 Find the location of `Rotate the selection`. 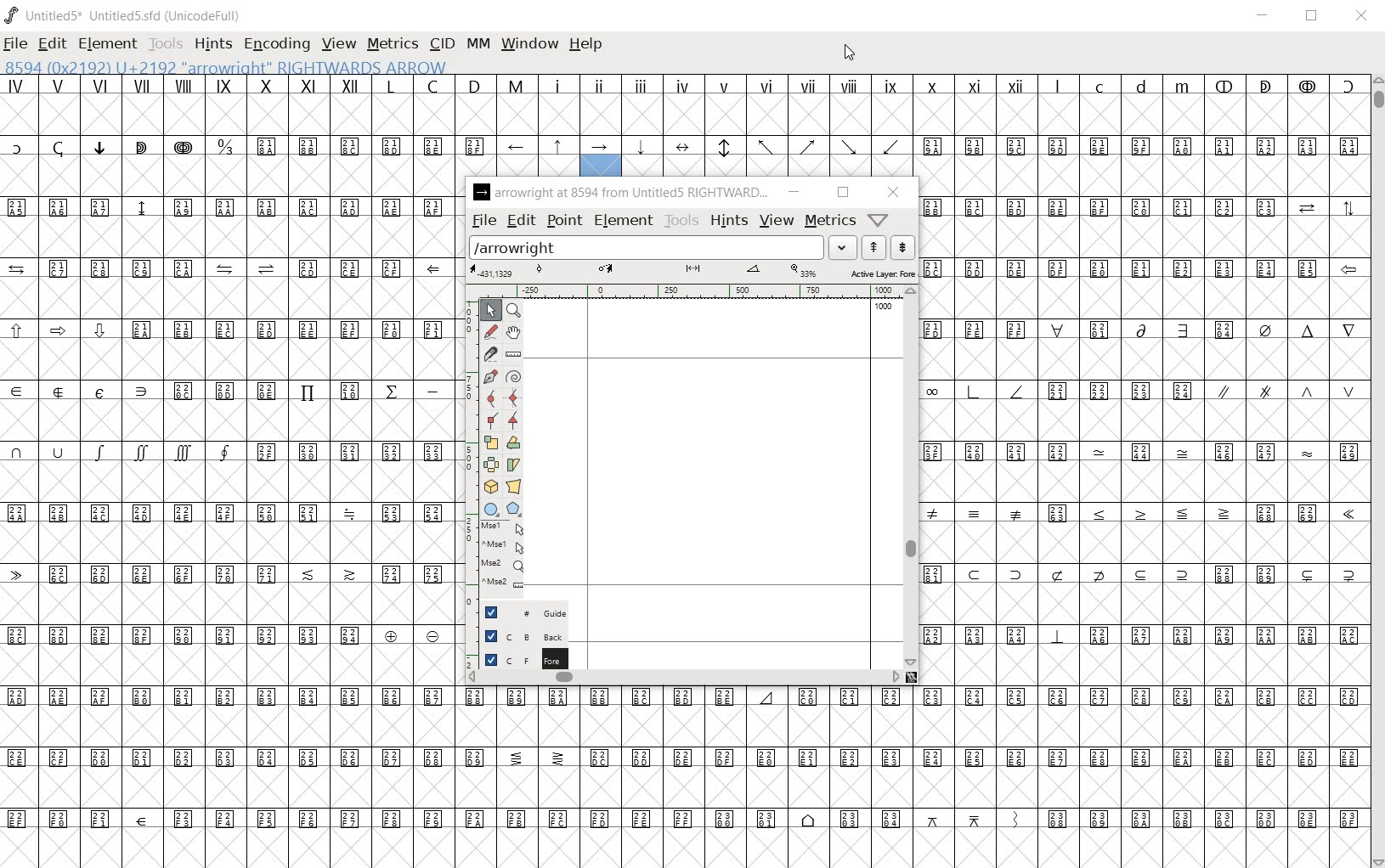

Rotate the selection is located at coordinates (513, 465).